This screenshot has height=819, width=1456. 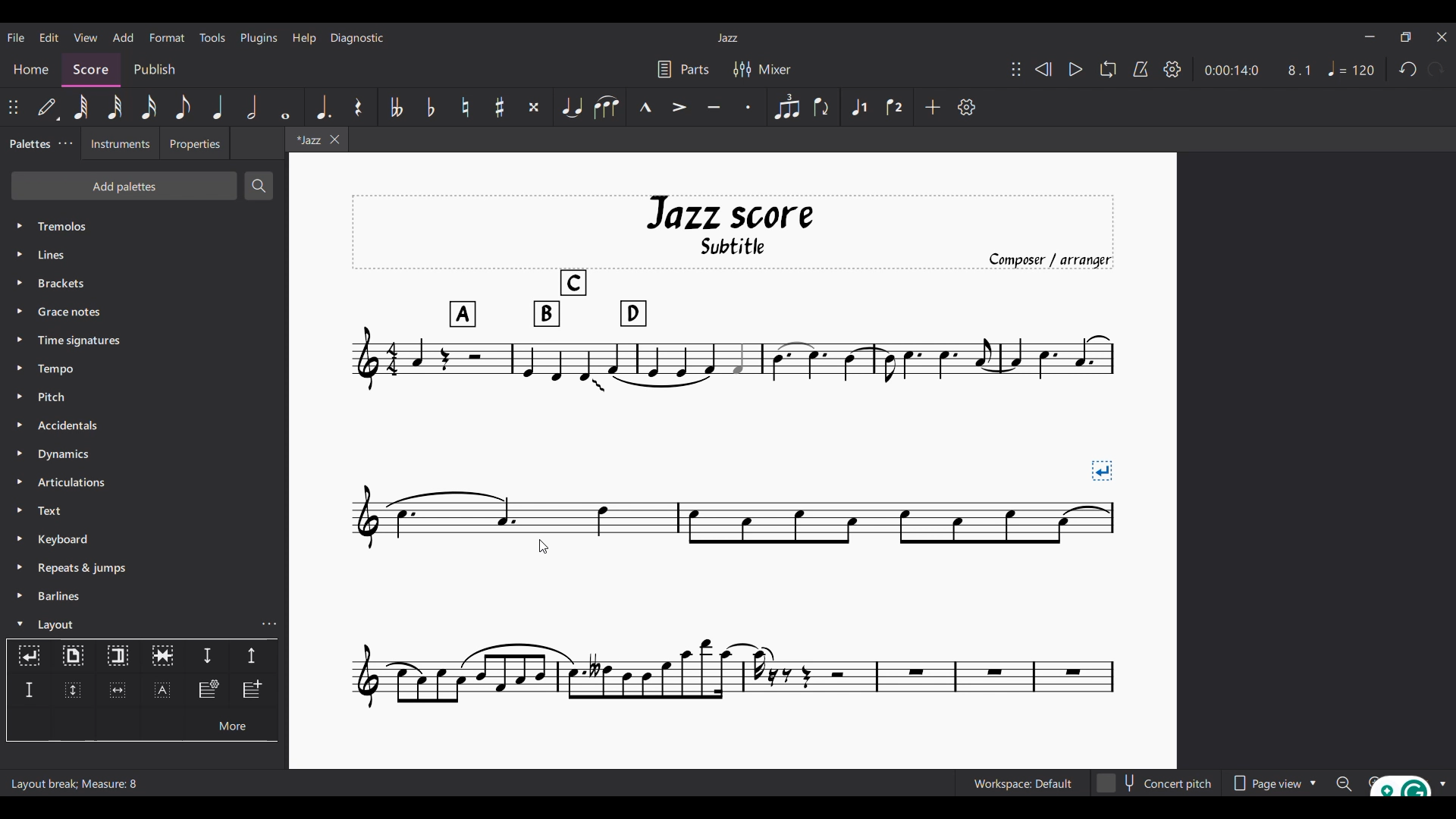 I want to click on Layout break; Measure: 8, so click(x=80, y=783).